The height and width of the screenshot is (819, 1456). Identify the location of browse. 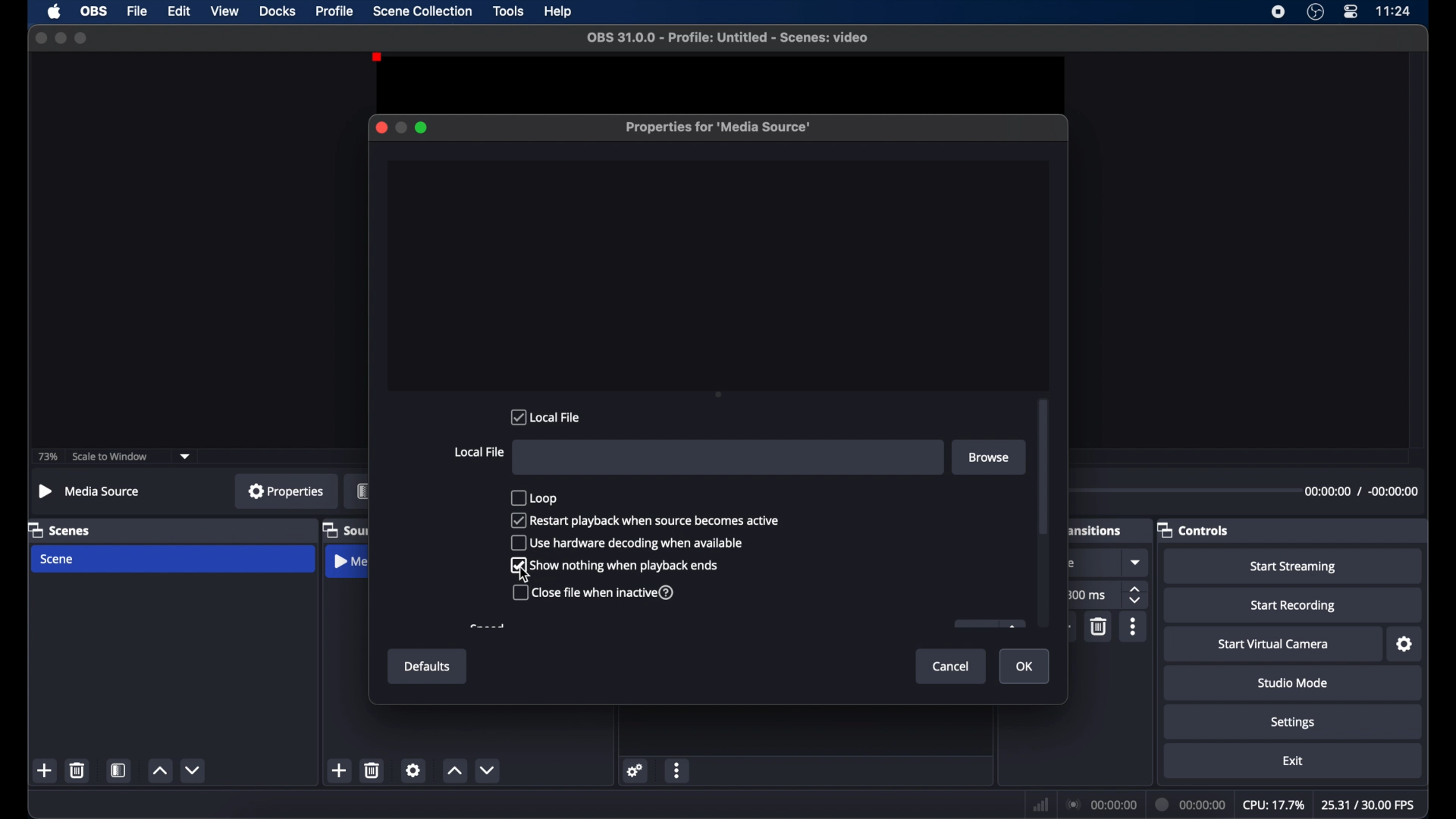
(990, 457).